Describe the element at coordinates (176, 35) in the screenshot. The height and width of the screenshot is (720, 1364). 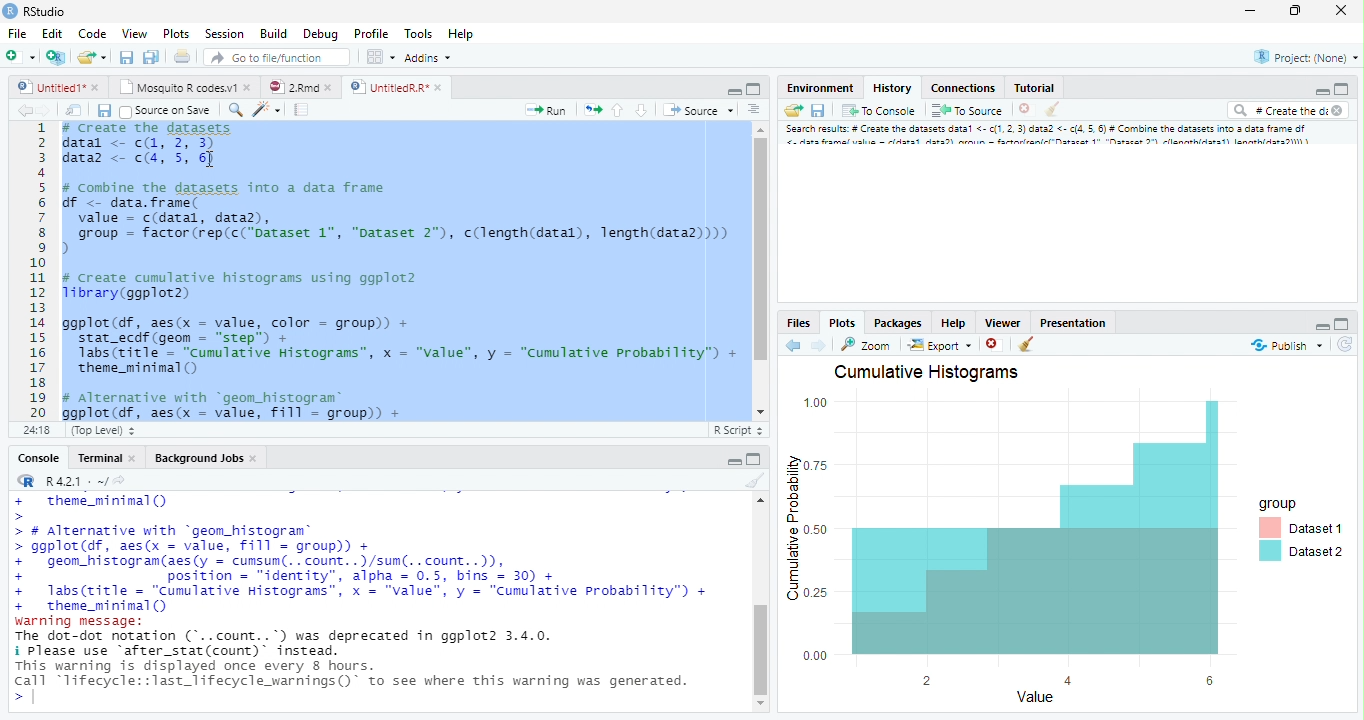
I see `Plots` at that location.